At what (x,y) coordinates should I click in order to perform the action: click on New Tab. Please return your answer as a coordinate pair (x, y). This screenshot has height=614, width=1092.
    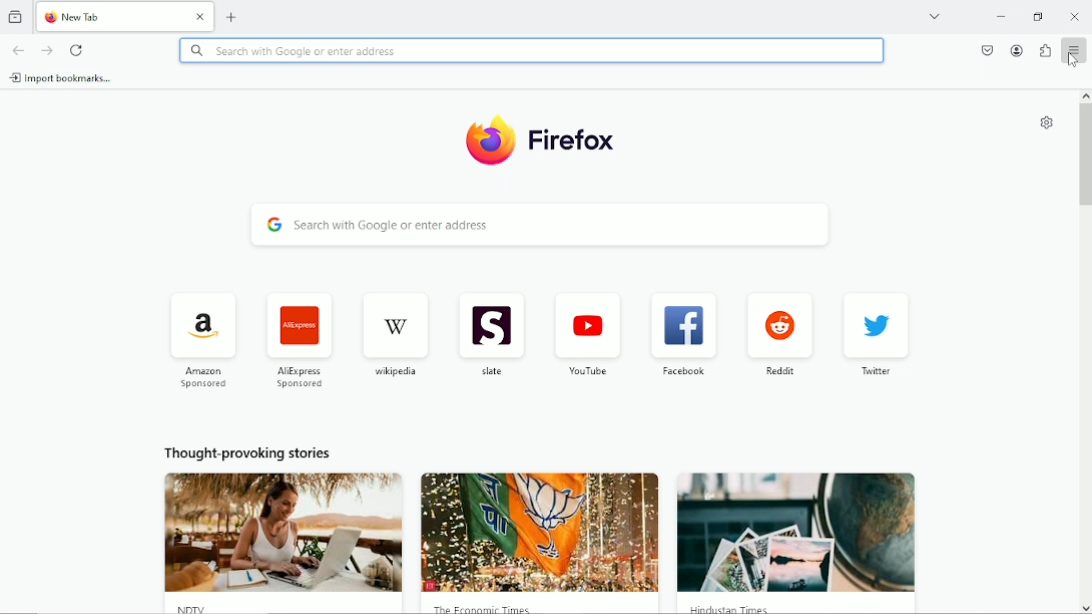
    Looking at the image, I should click on (113, 15).